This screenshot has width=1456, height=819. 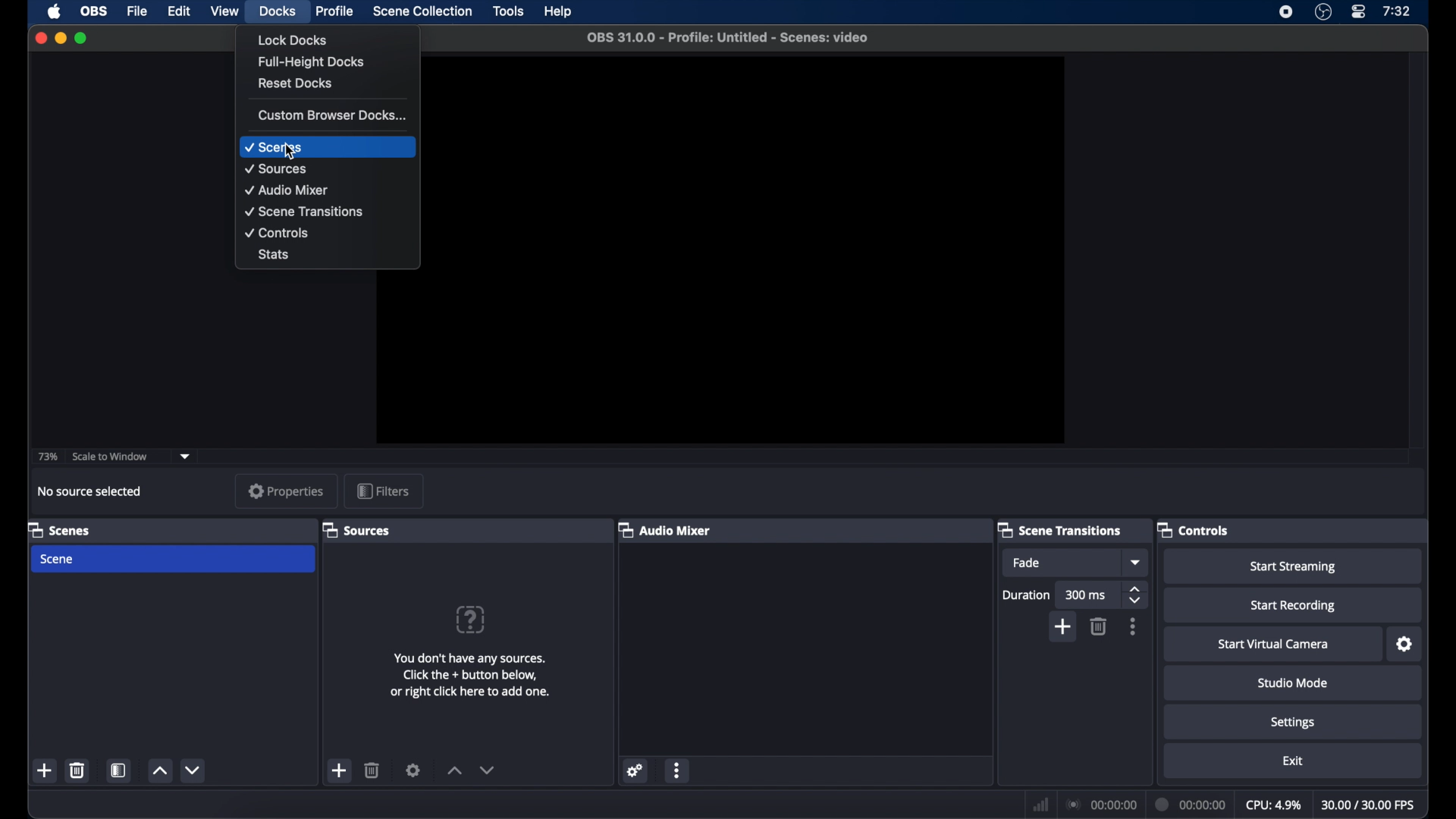 I want to click on 00:00:00, so click(x=1191, y=803).